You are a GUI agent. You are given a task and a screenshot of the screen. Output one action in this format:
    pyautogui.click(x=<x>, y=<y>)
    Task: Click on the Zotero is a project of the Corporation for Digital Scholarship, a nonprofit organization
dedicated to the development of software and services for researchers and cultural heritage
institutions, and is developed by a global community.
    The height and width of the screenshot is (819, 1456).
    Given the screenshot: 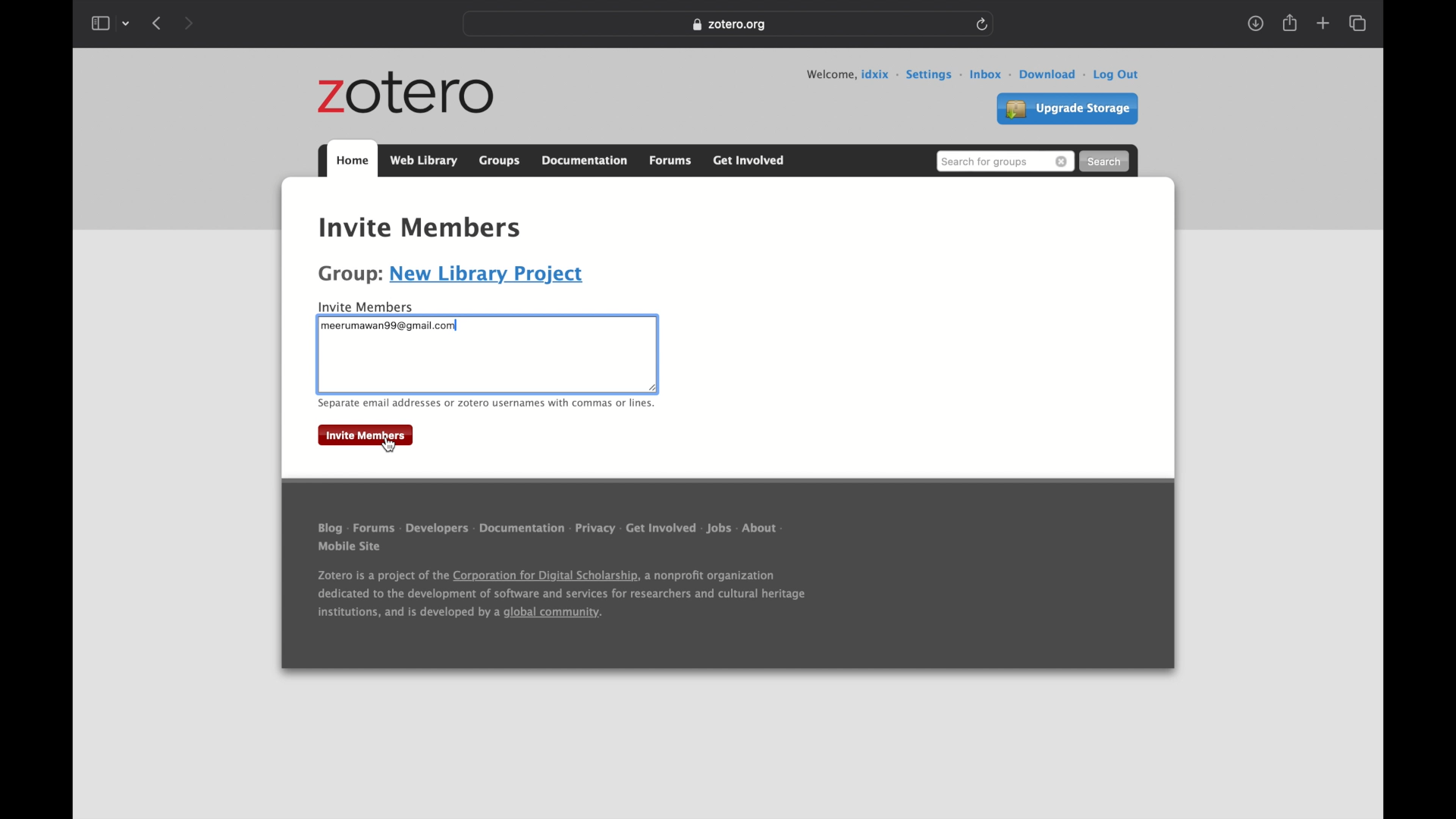 What is the action you would take?
    pyautogui.click(x=562, y=595)
    